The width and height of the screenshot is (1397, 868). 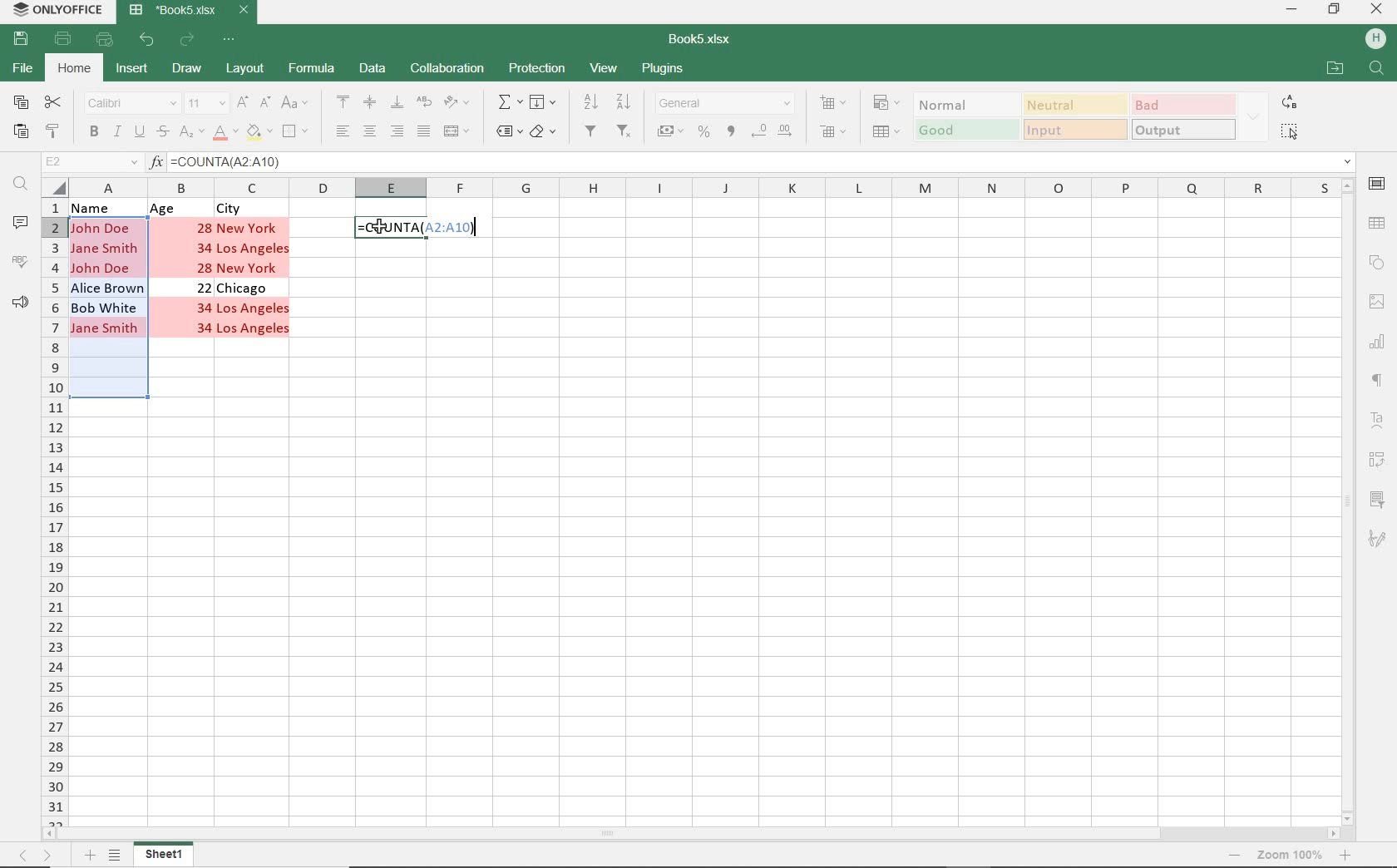 What do you see at coordinates (700, 36) in the screenshot?
I see `DOCUMENT NAME` at bounding box center [700, 36].